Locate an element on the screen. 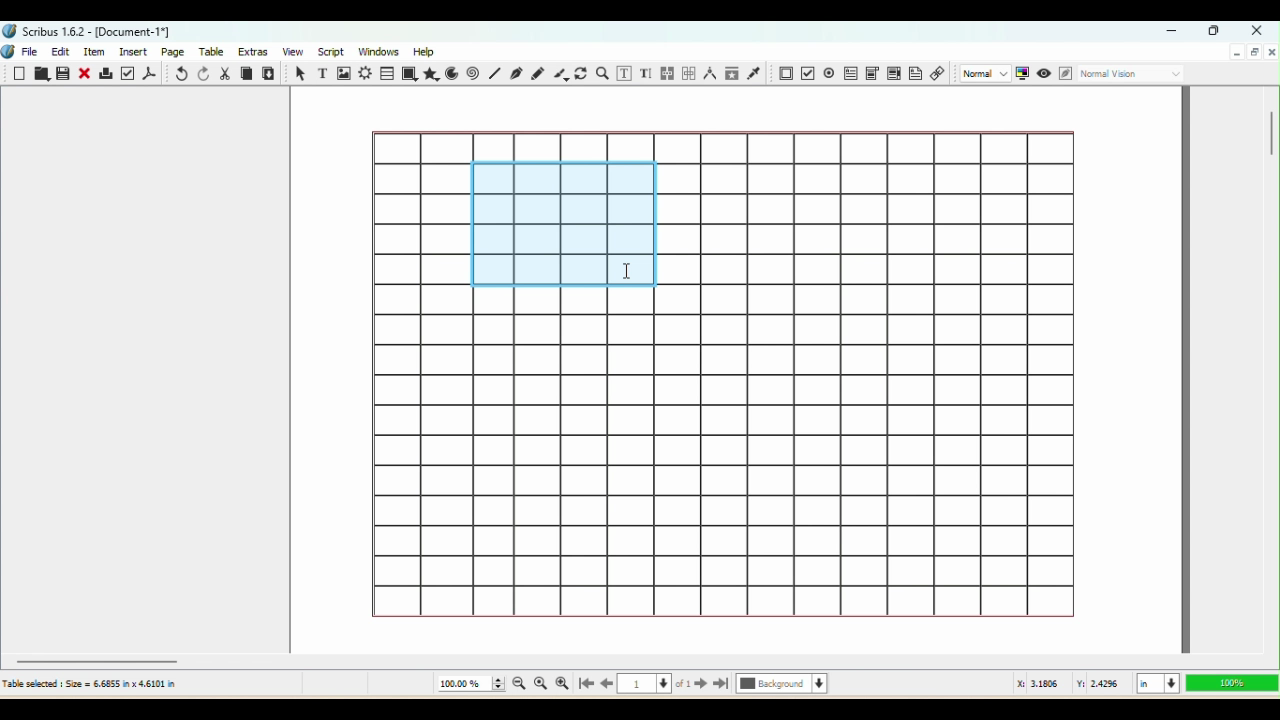  Select the current layer is located at coordinates (782, 685).